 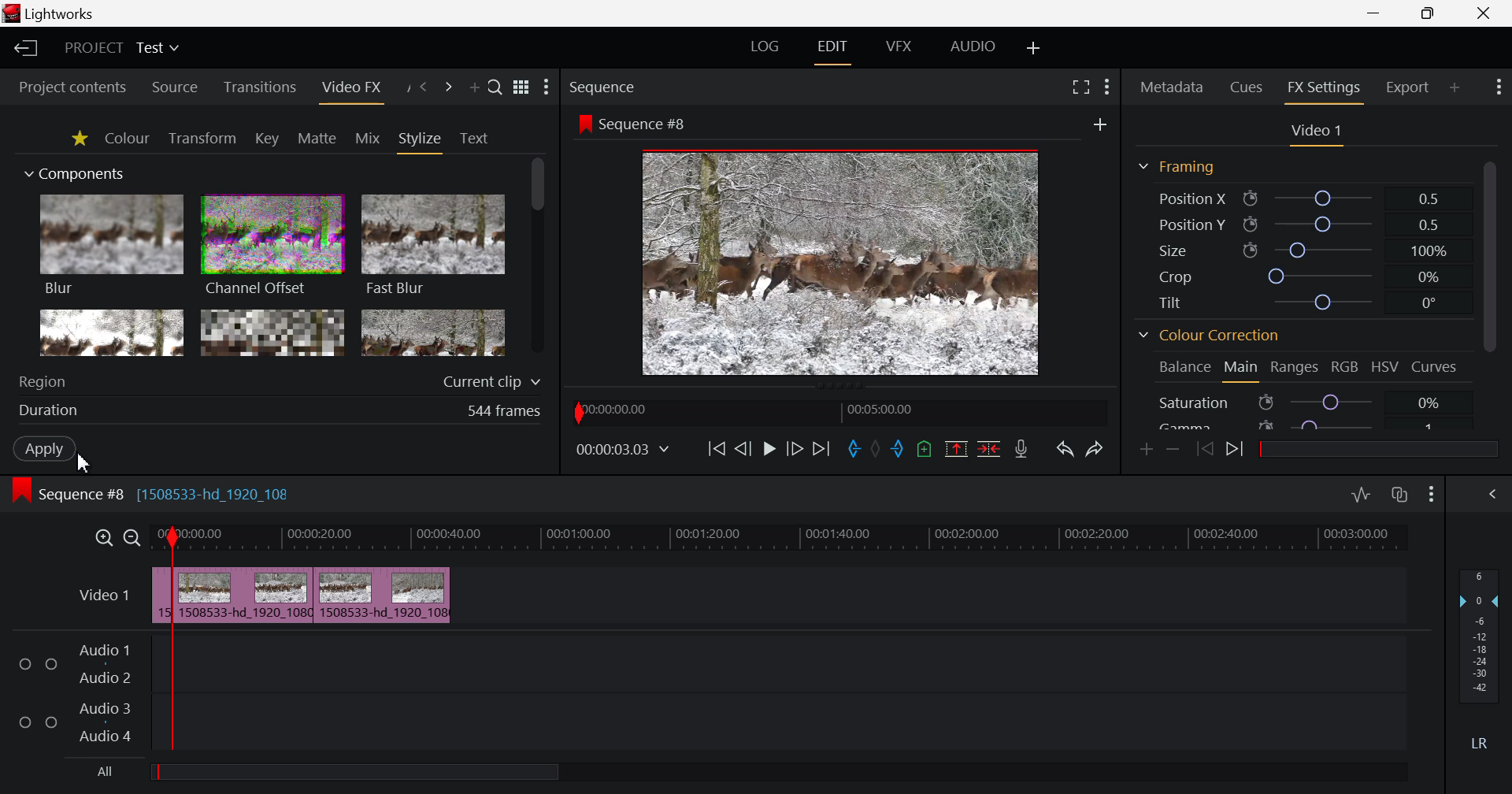 What do you see at coordinates (433, 335) in the screenshot?
I see `Posterize` at bounding box center [433, 335].